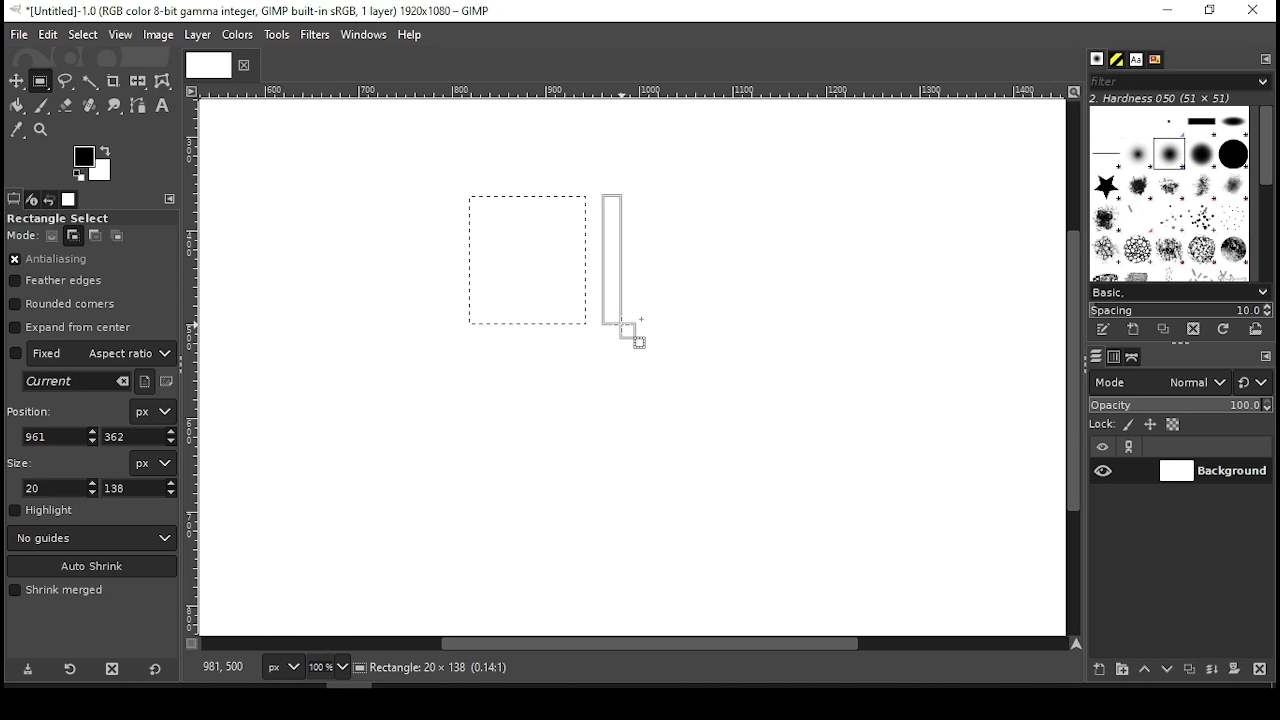 The image size is (1280, 720). I want to click on background (28.0mb), so click(490, 668).